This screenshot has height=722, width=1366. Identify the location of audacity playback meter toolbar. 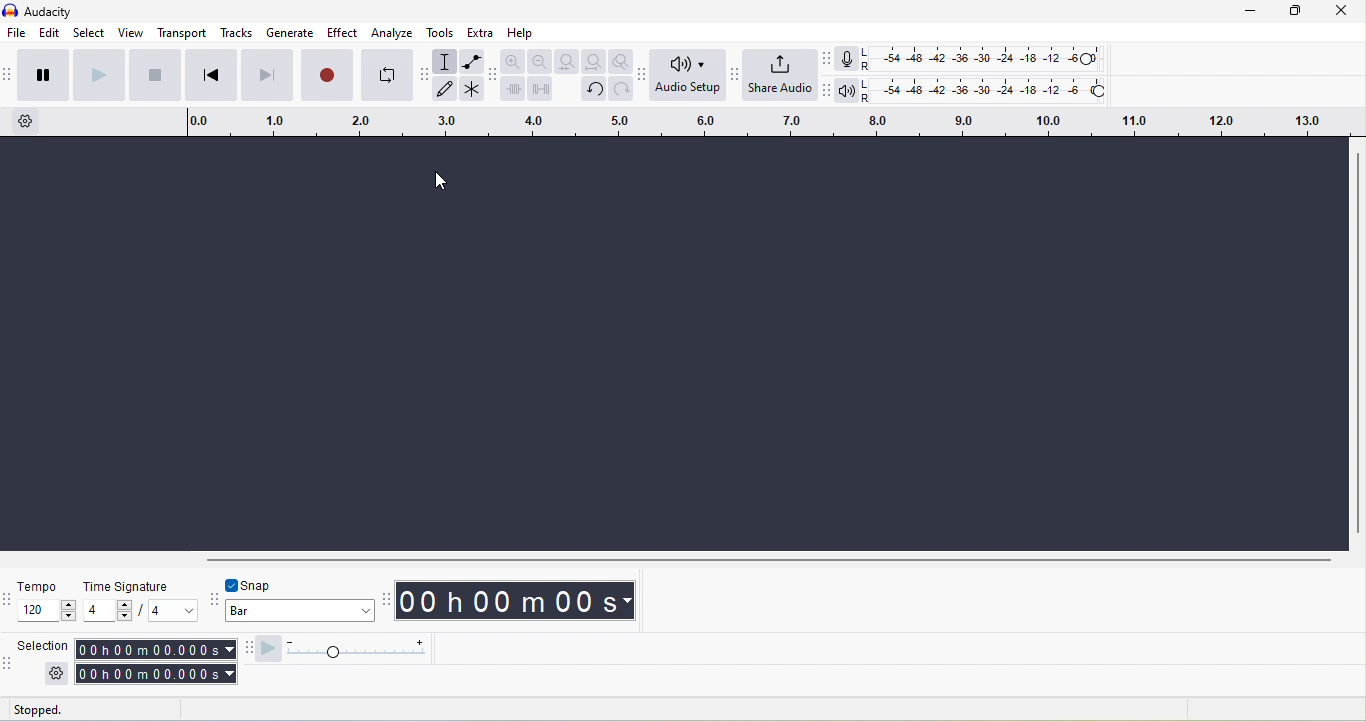
(823, 92).